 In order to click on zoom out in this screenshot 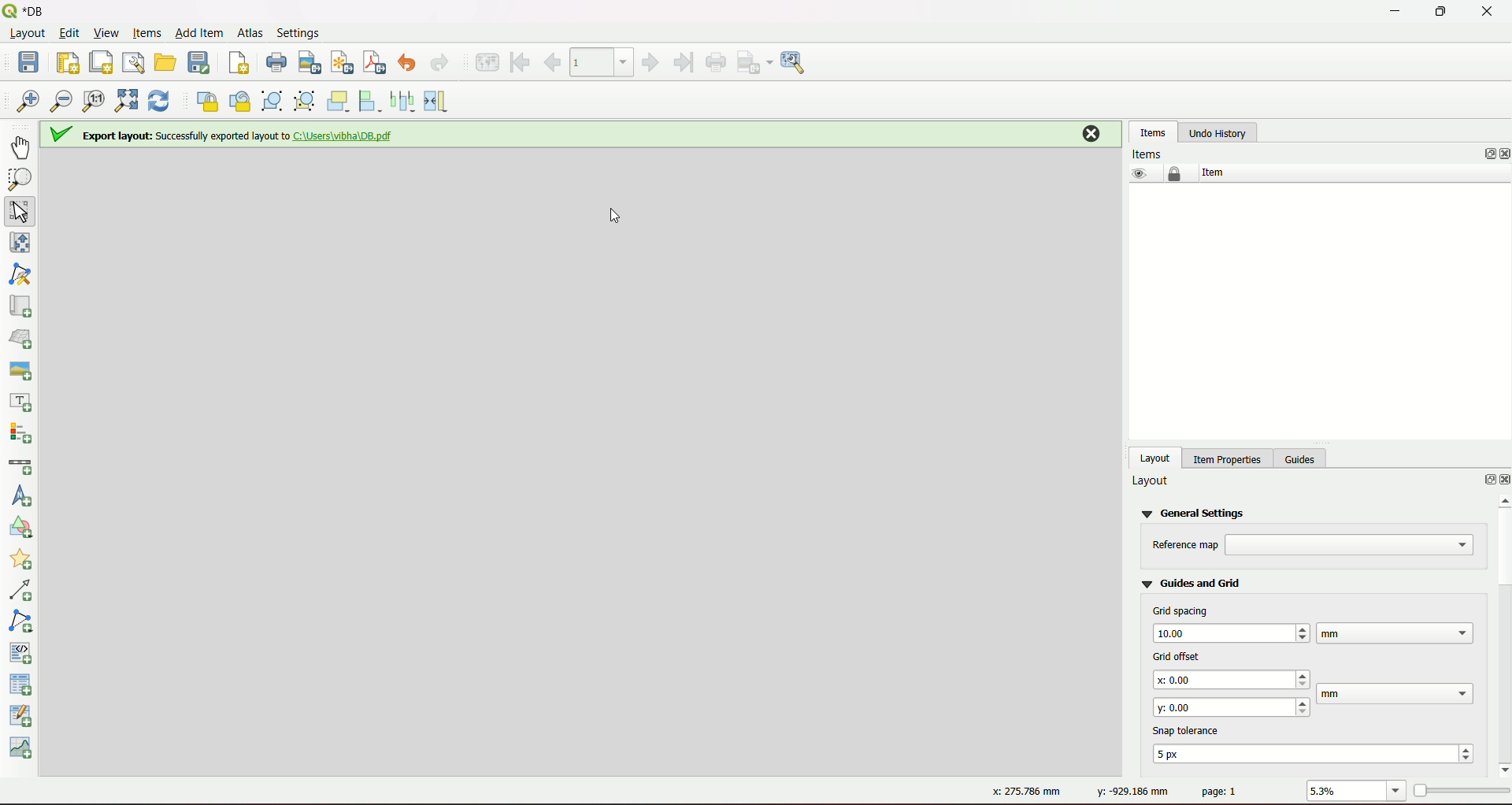, I will do `click(61, 103)`.